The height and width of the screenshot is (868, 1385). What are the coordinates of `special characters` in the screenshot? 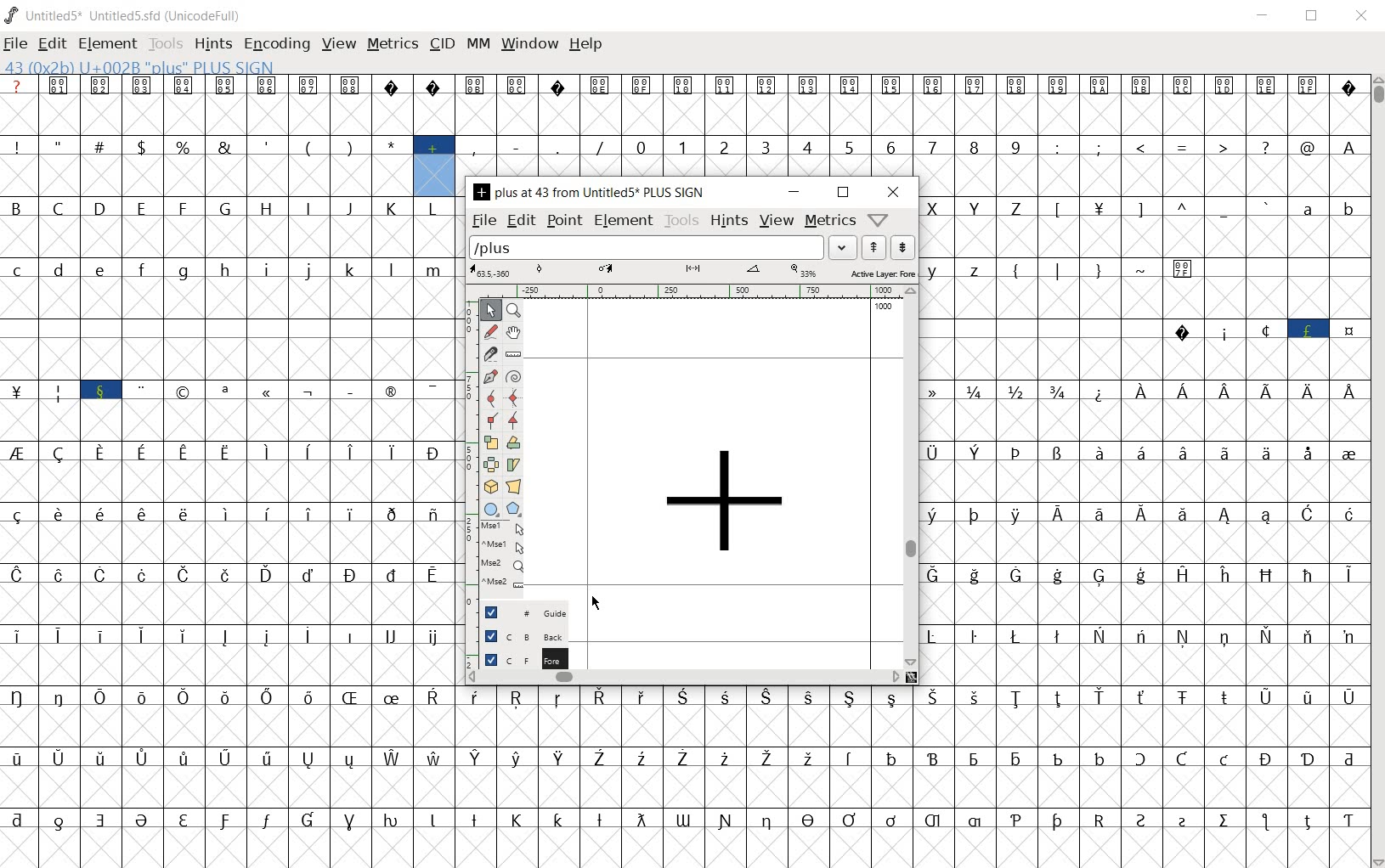 It's located at (544, 159).